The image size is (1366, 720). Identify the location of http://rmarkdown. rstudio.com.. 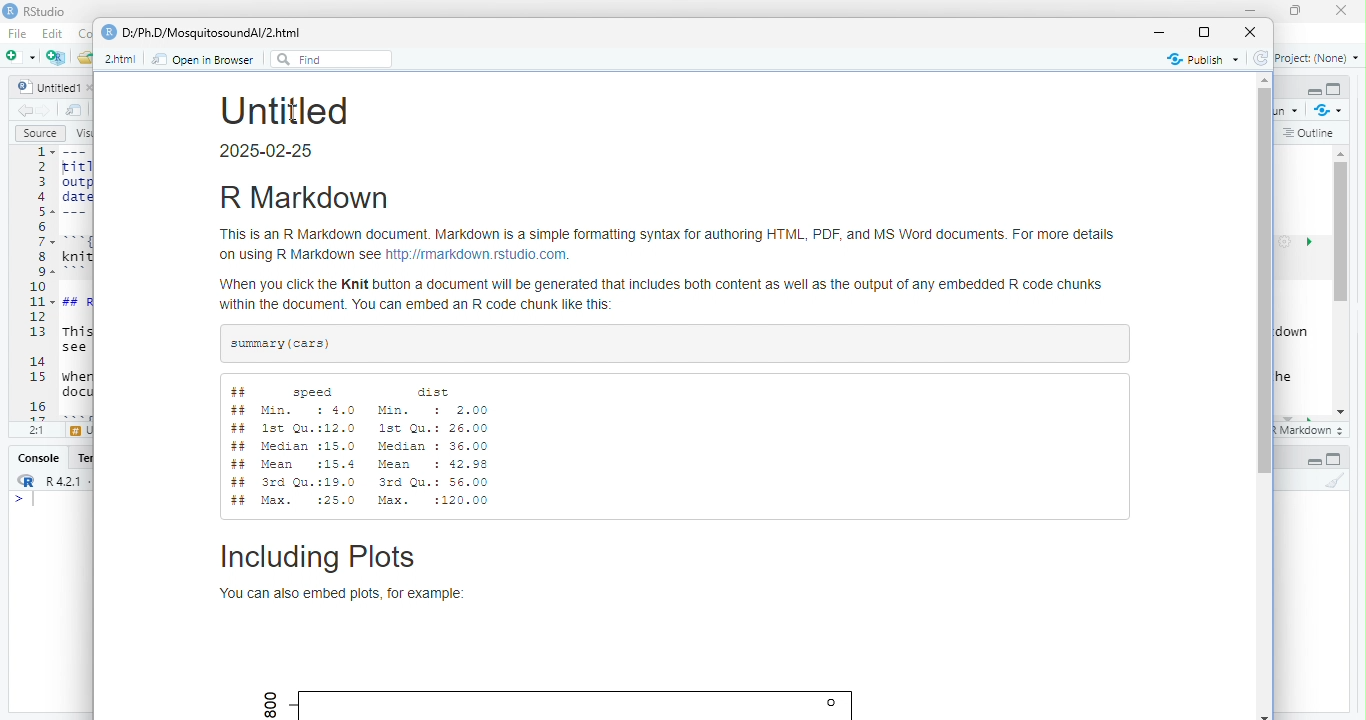
(479, 256).